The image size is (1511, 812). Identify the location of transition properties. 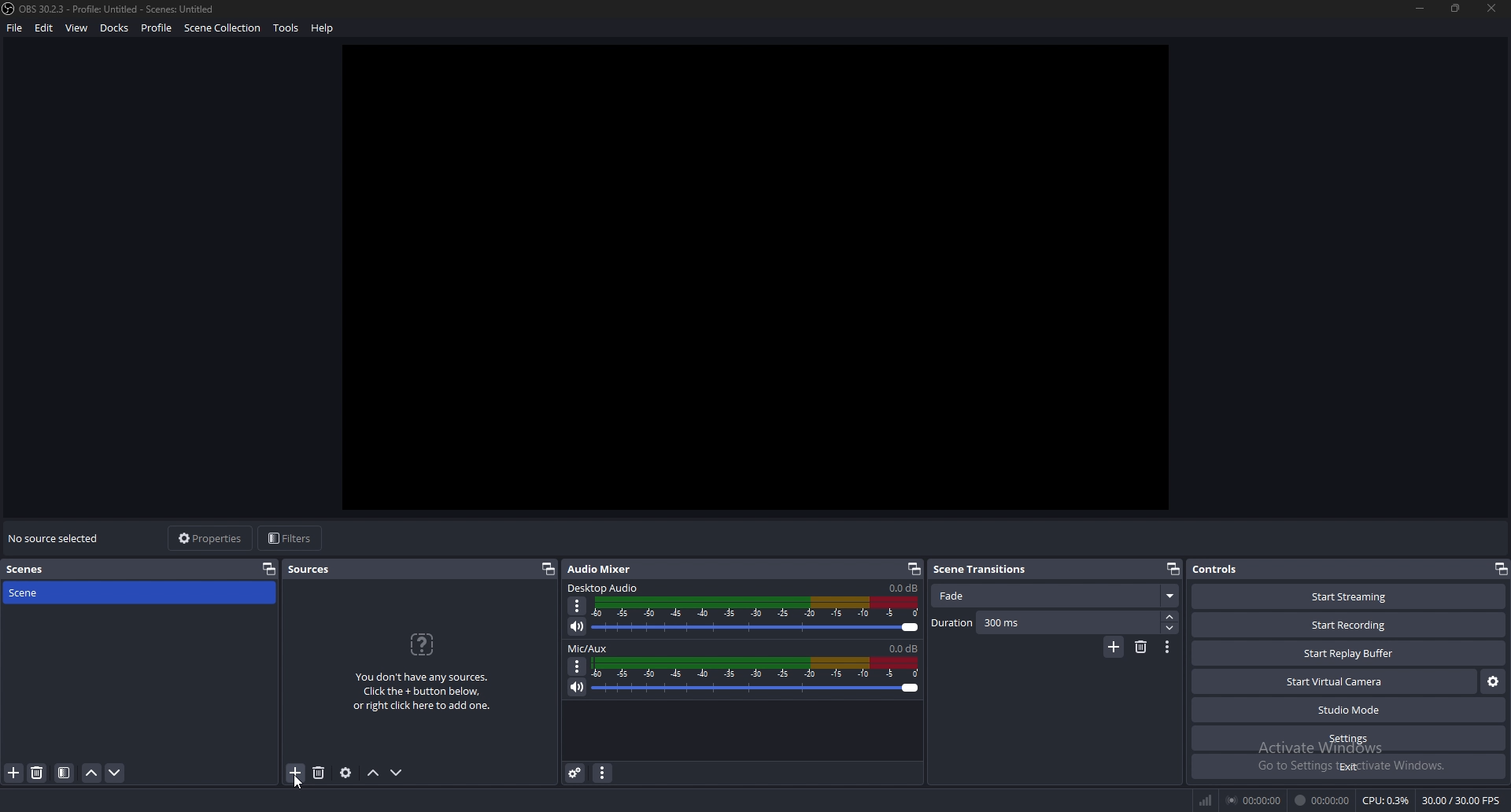
(1168, 648).